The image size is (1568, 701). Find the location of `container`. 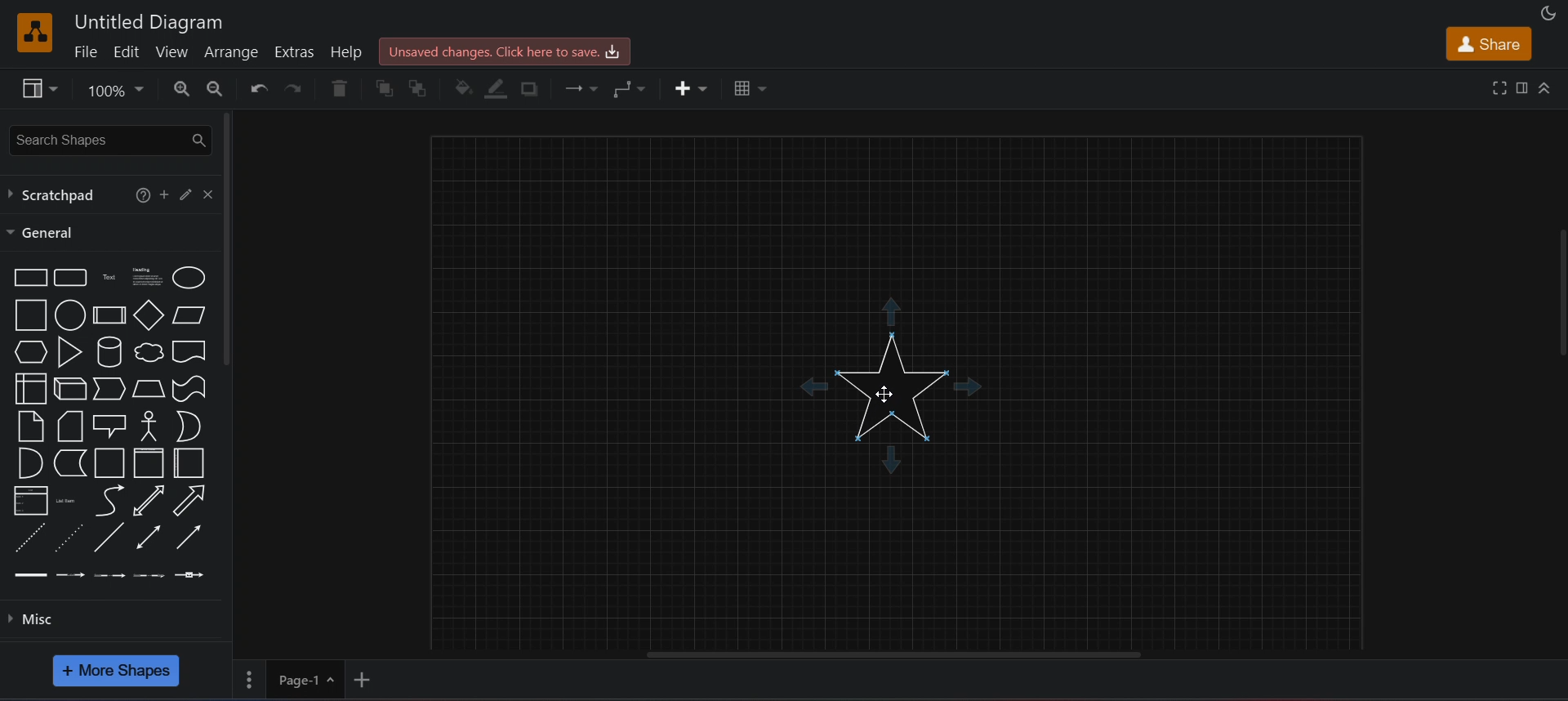

container is located at coordinates (109, 462).